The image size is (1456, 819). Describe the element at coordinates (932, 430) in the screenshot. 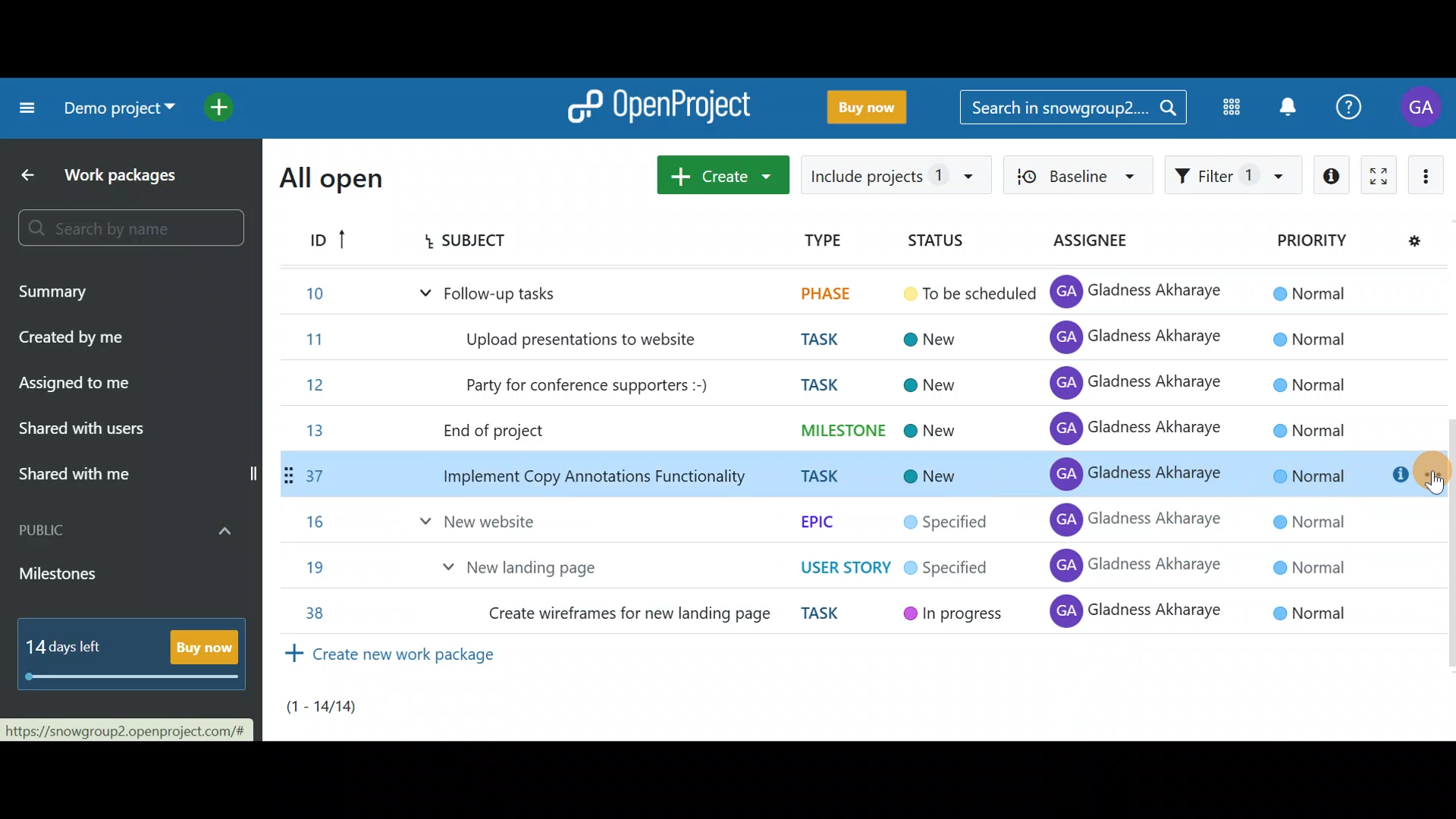

I see `New` at that location.